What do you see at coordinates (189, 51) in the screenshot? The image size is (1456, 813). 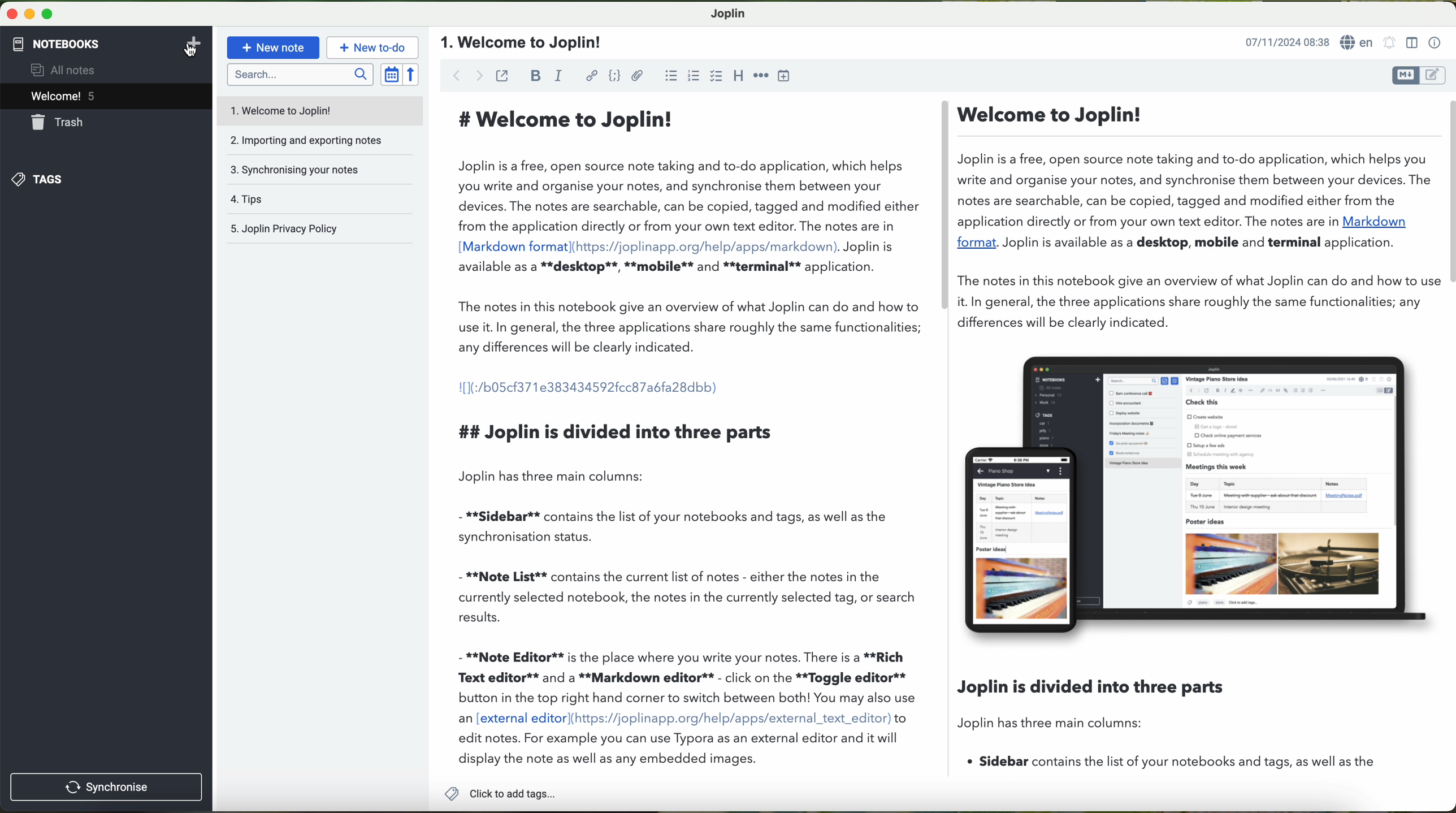 I see `cursor` at bounding box center [189, 51].